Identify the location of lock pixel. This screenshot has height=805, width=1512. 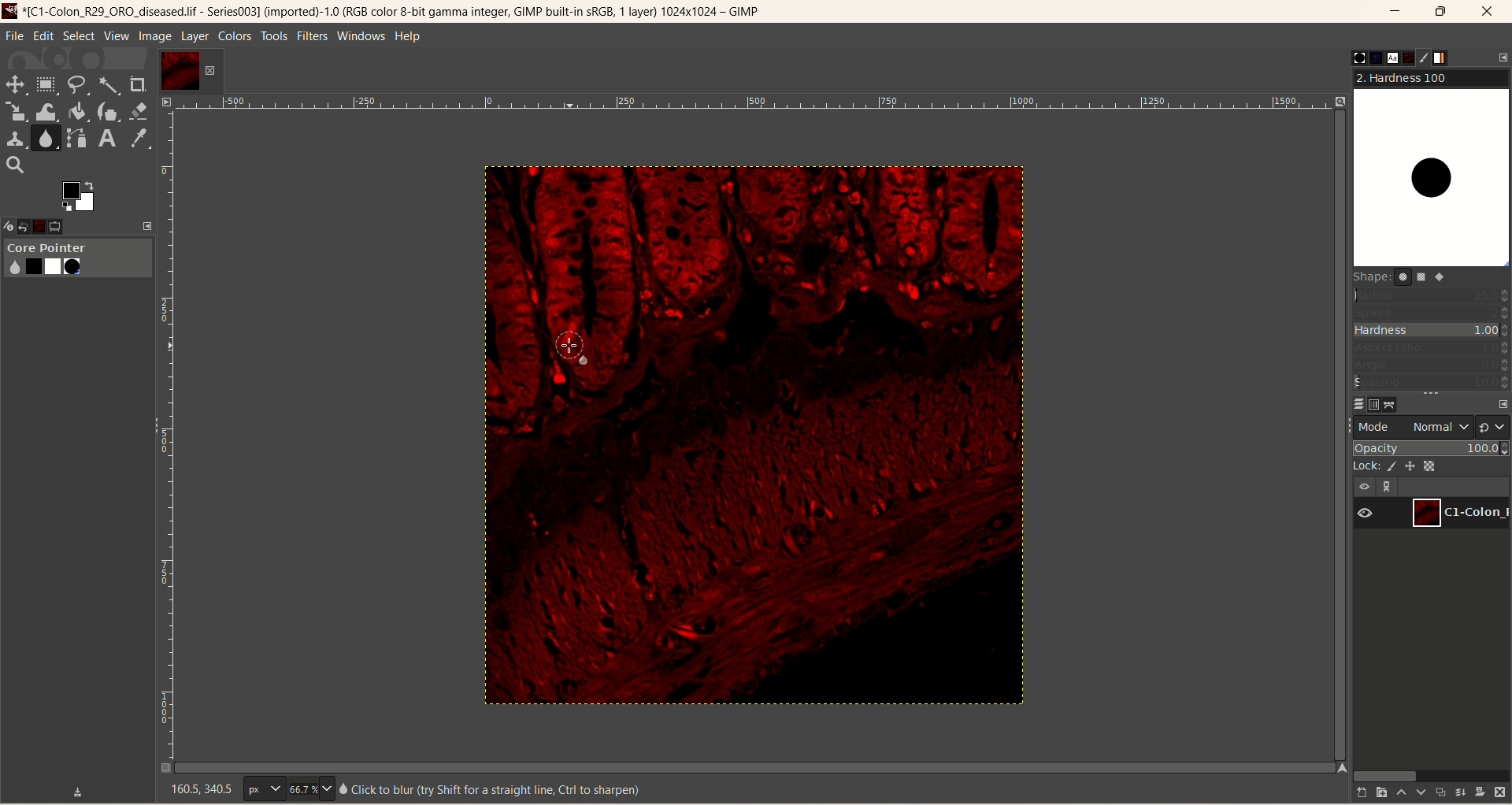
(1395, 464).